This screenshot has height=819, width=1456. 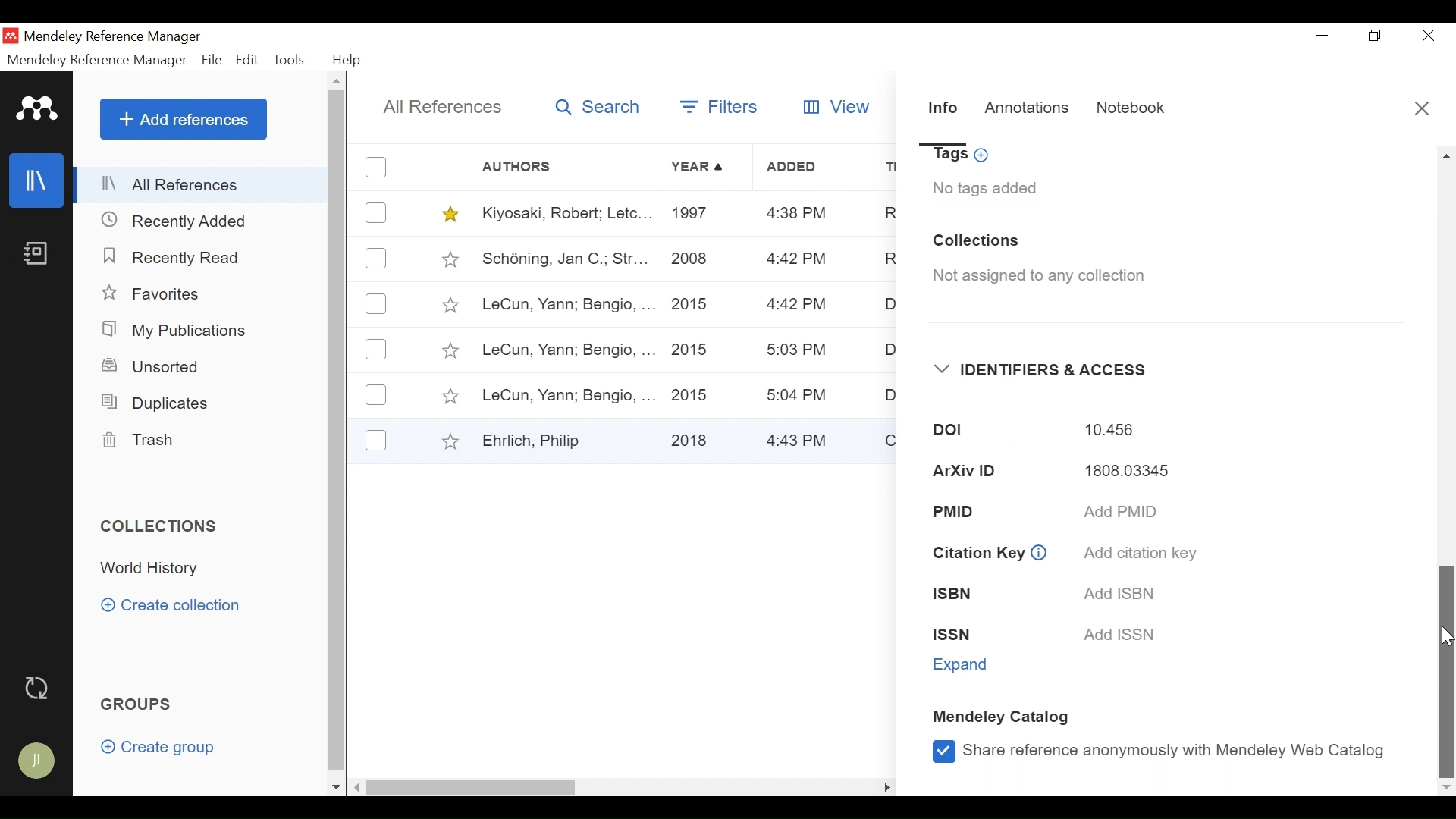 I want to click on ArXiv ID, so click(x=959, y=472).